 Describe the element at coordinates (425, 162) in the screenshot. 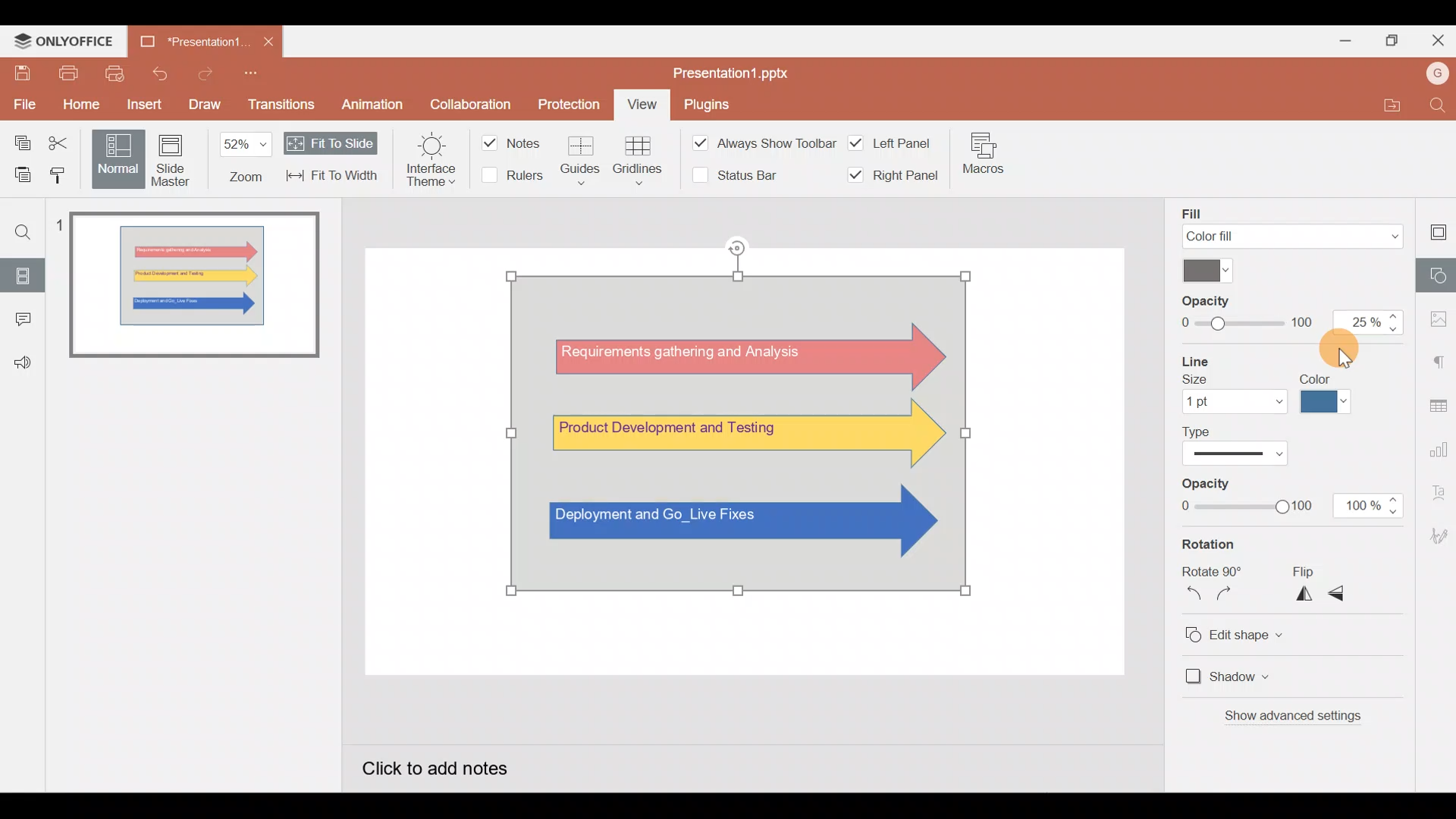

I see `Interface theme` at that location.